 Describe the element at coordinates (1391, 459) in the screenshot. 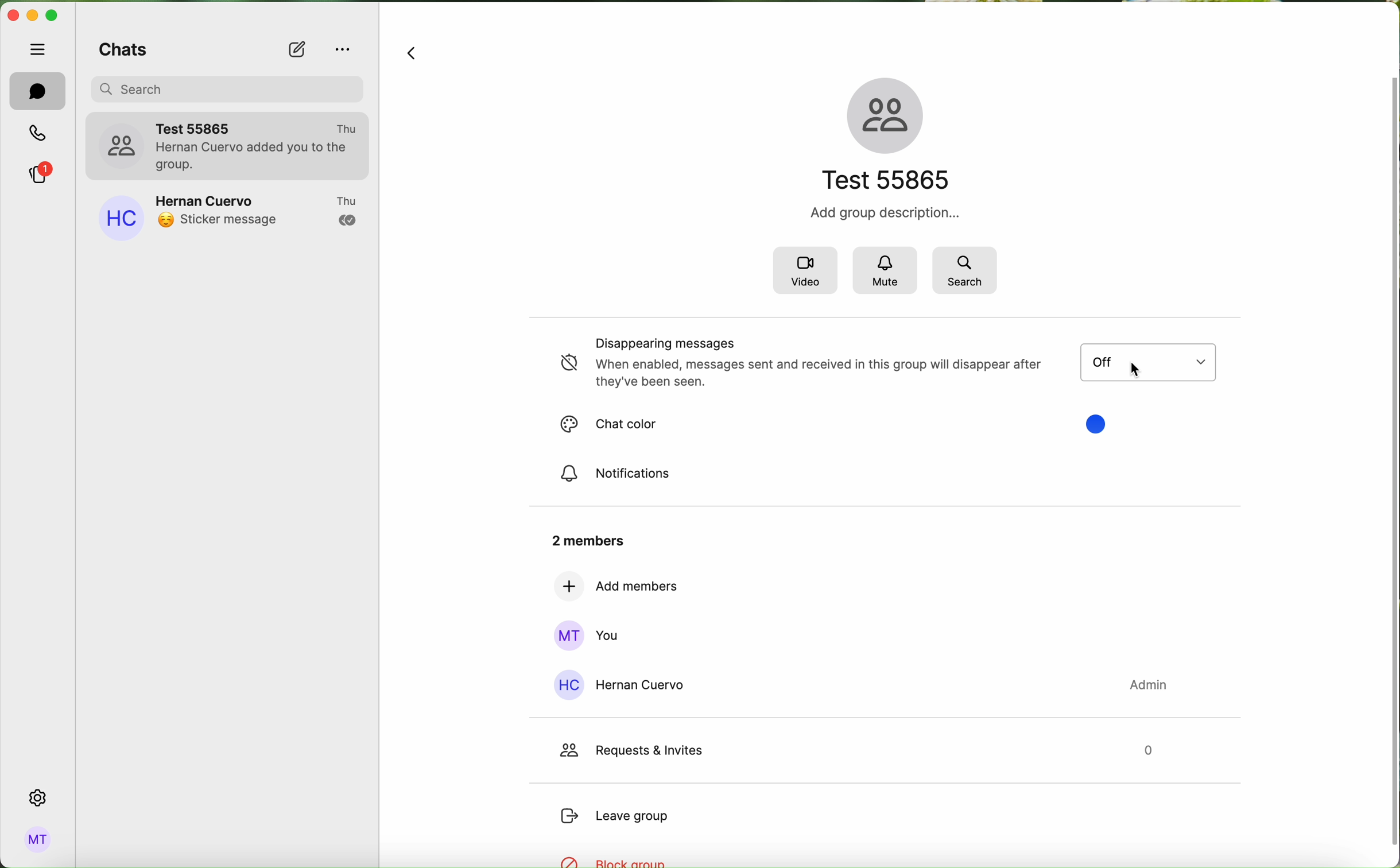

I see `vertical scrollbar` at that location.